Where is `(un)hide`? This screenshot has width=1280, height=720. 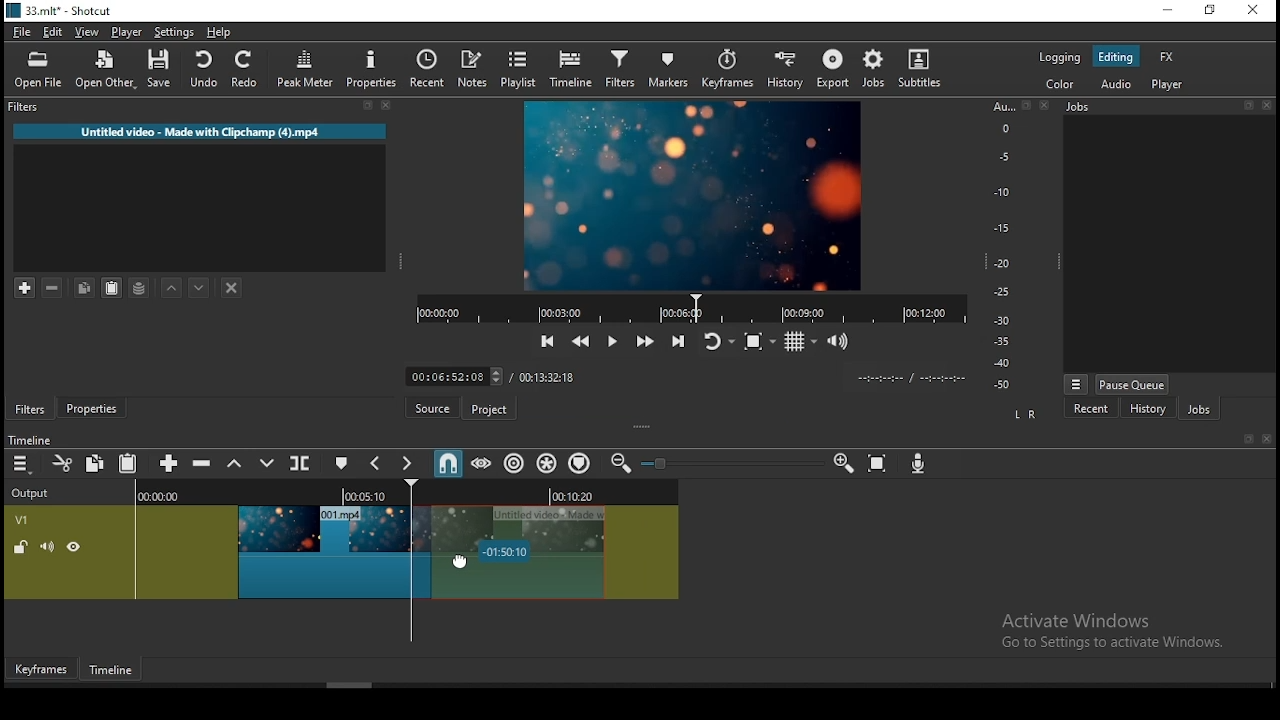 (un)hide is located at coordinates (76, 547).